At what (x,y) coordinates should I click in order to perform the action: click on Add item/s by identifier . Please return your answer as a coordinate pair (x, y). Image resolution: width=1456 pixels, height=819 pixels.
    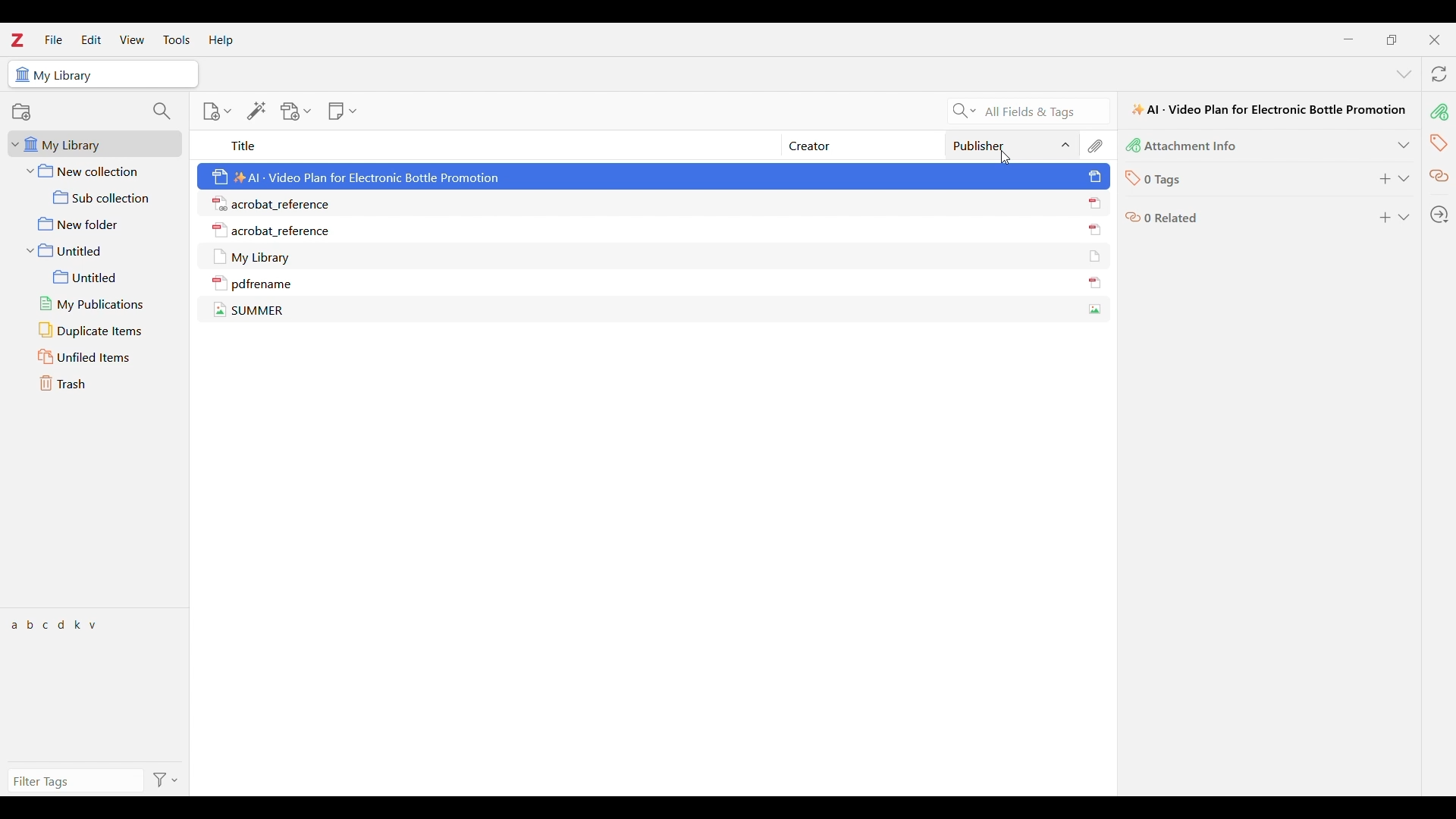
    Looking at the image, I should click on (256, 111).